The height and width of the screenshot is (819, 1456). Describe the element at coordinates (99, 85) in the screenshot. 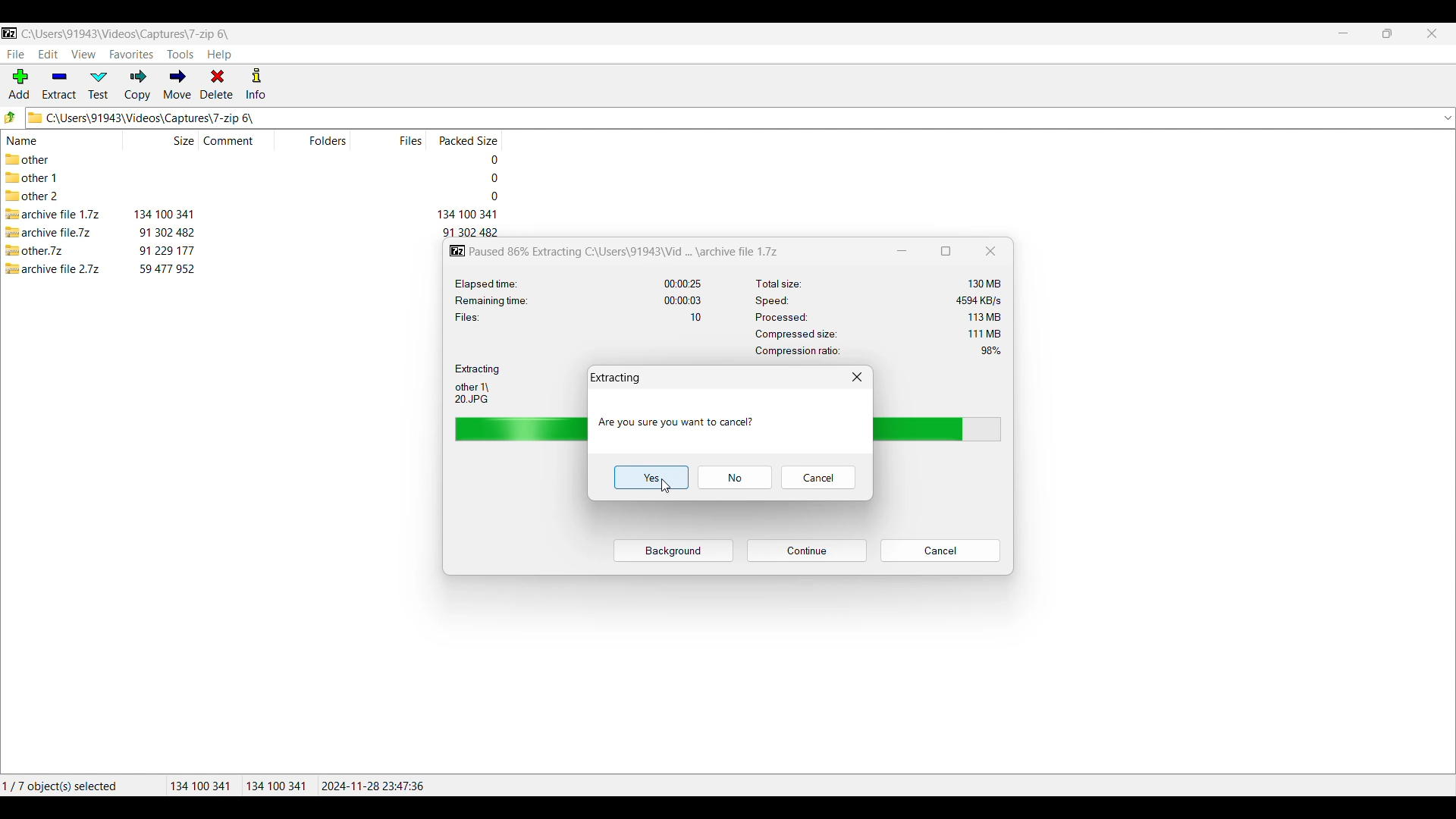

I see `Test` at that location.